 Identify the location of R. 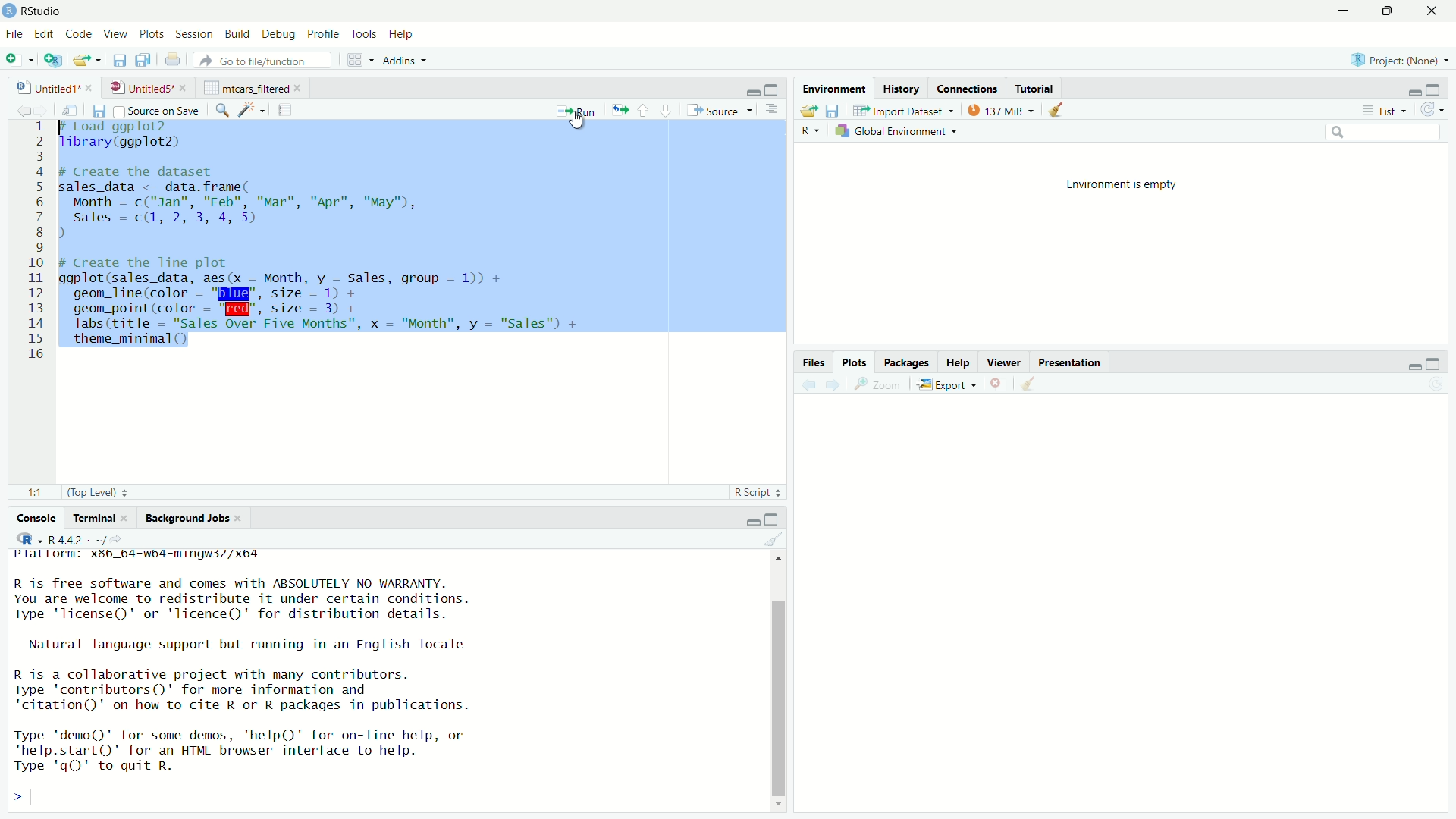
(811, 132).